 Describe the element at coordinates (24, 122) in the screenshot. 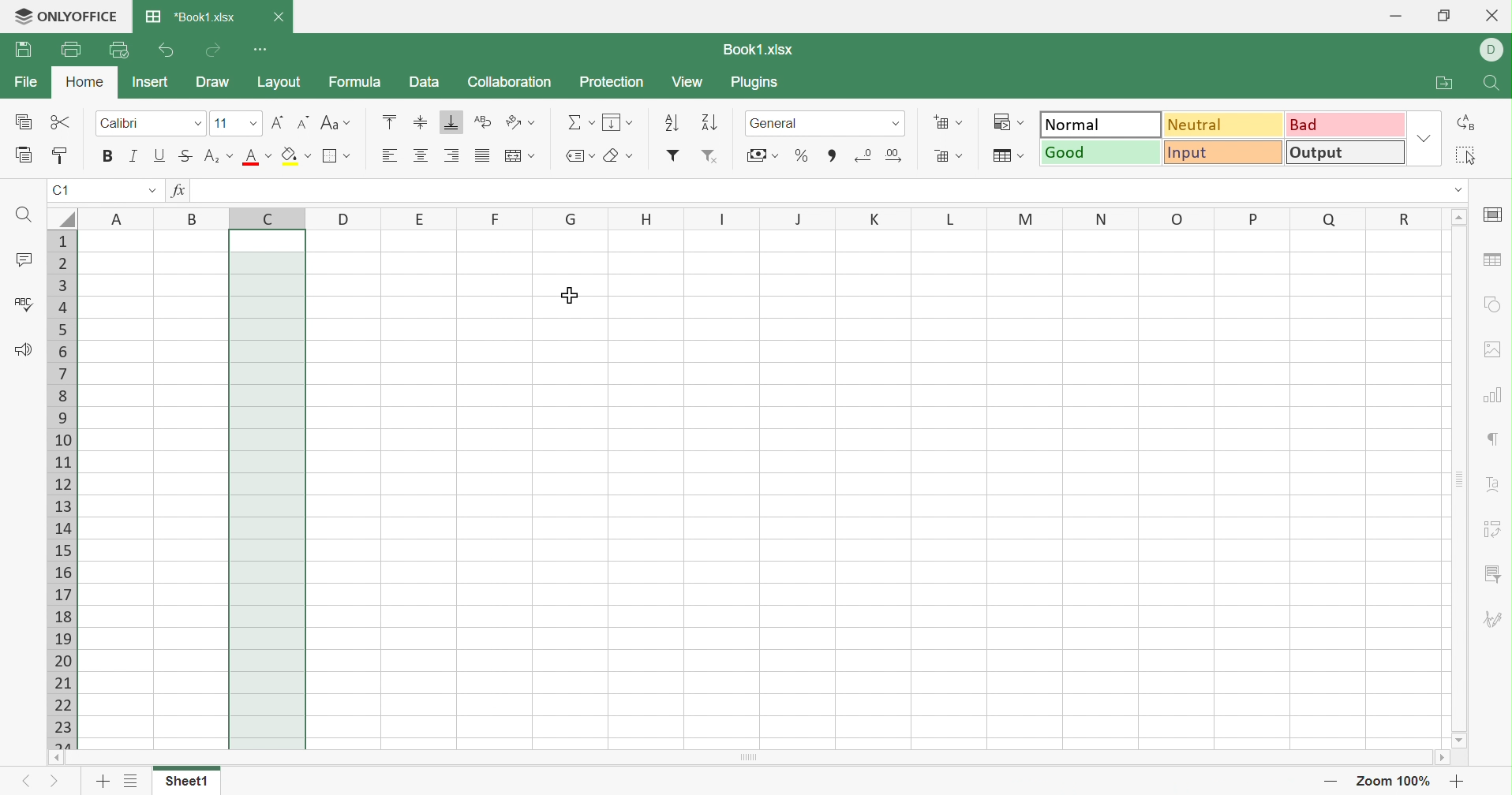

I see `Copy` at that location.